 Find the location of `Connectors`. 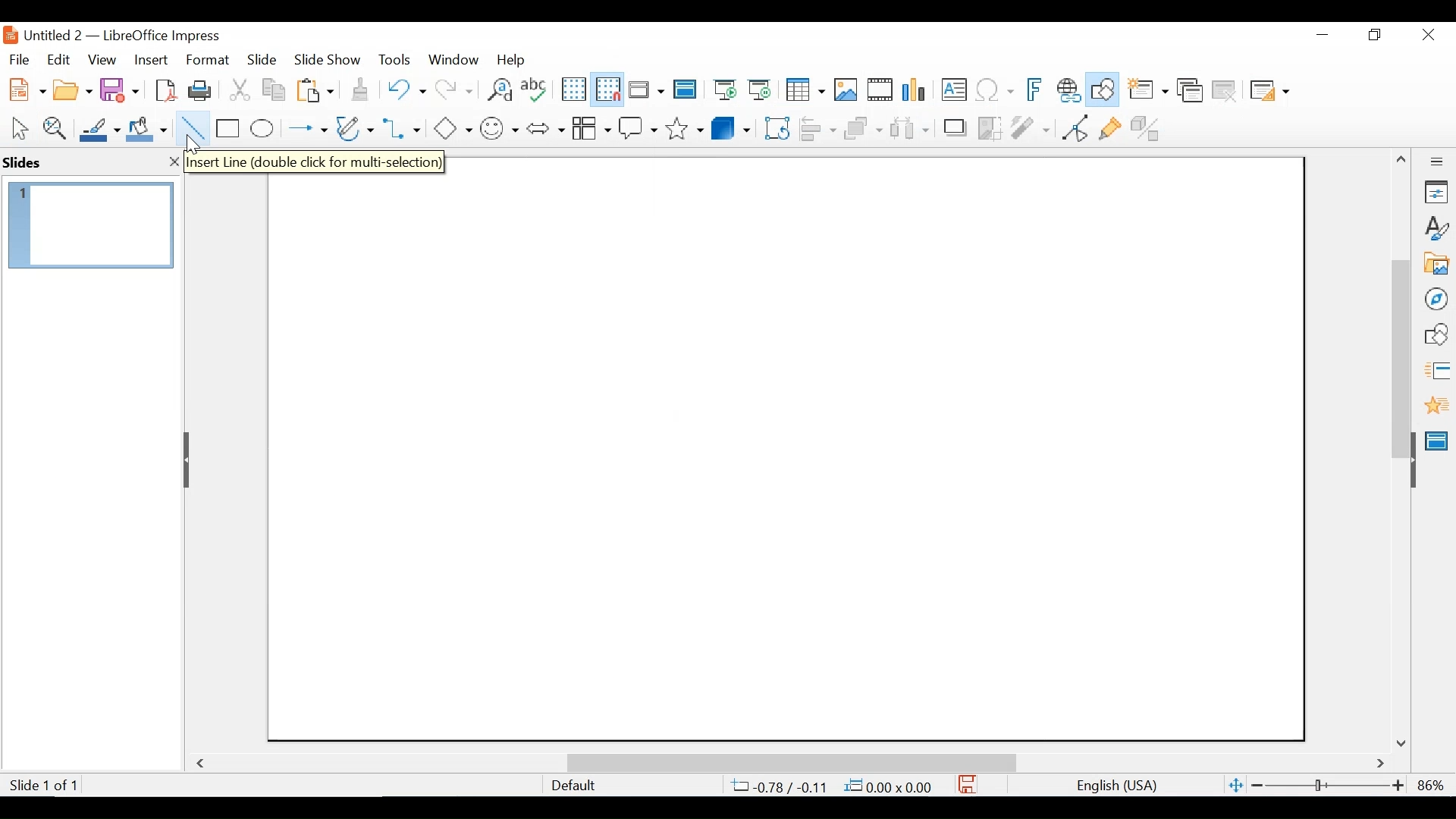

Connectors is located at coordinates (403, 128).